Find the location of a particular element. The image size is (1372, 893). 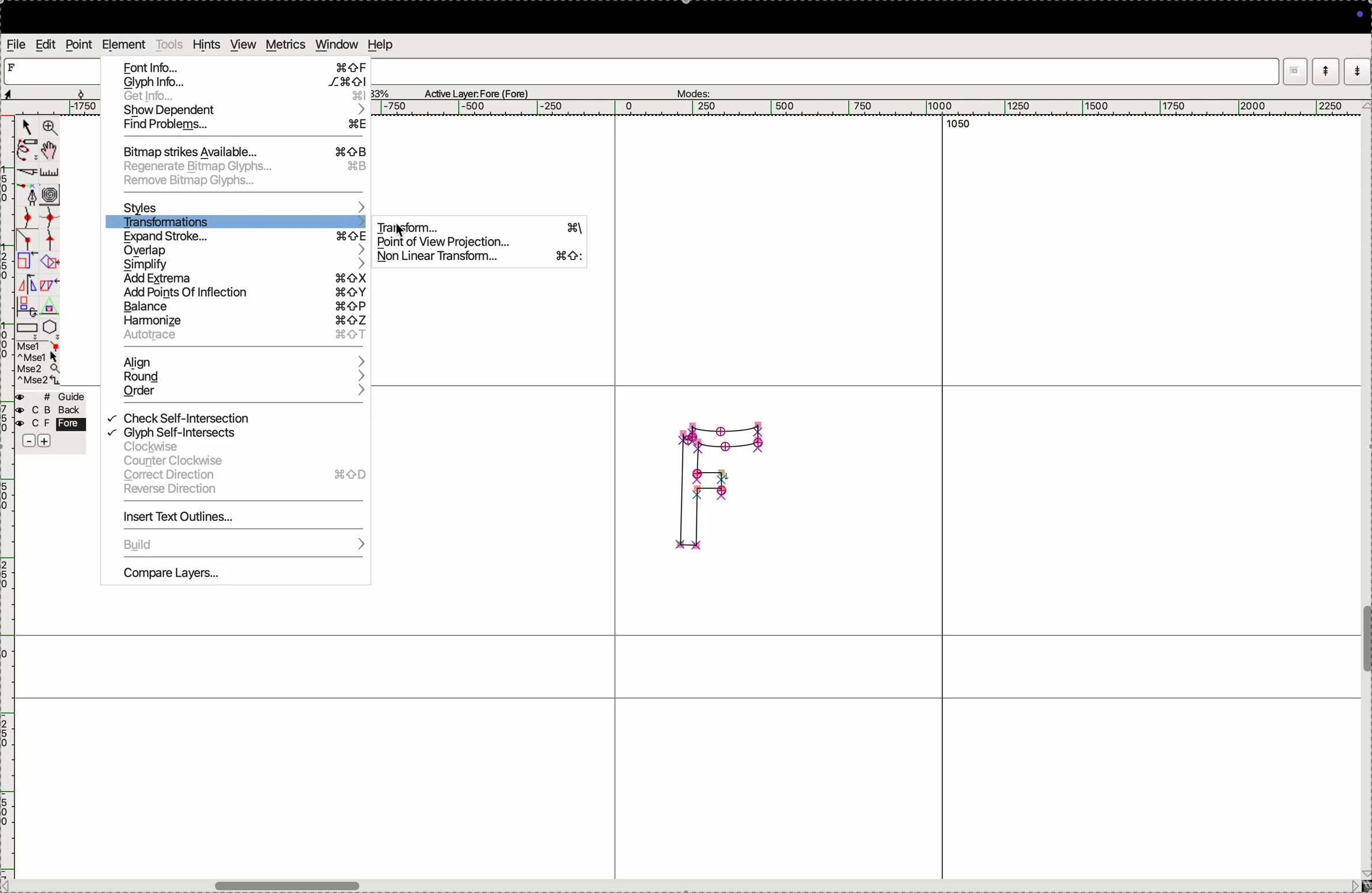

insert text out lines is located at coordinates (239, 519).